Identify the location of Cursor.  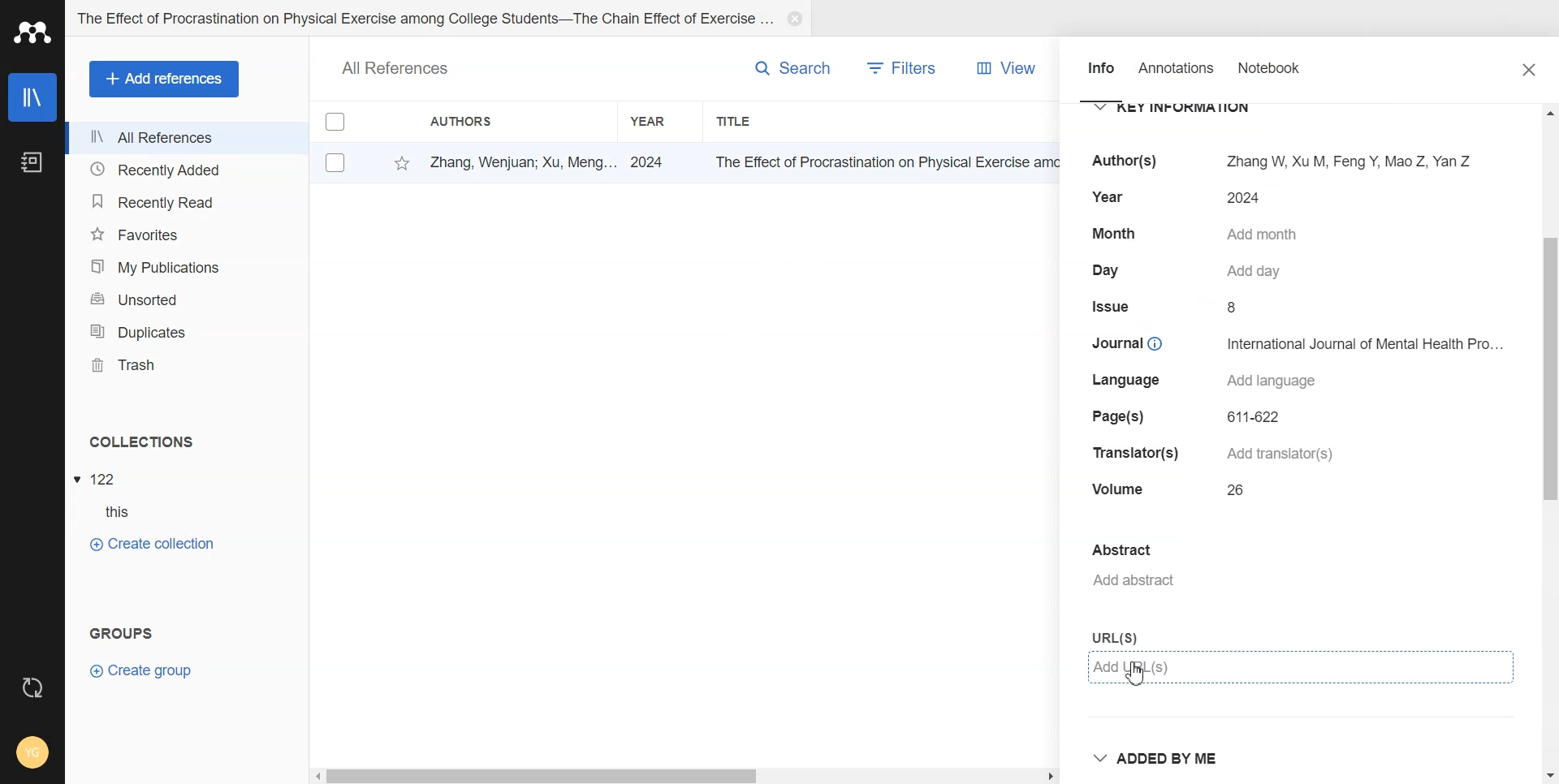
(1138, 674).